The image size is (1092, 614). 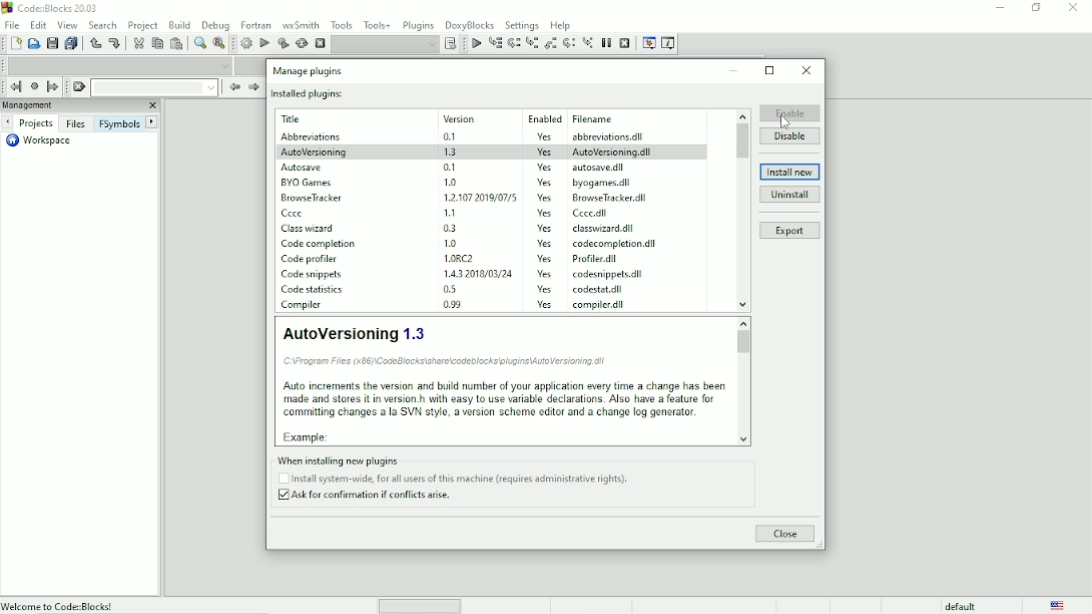 I want to click on Enable, so click(x=790, y=113).